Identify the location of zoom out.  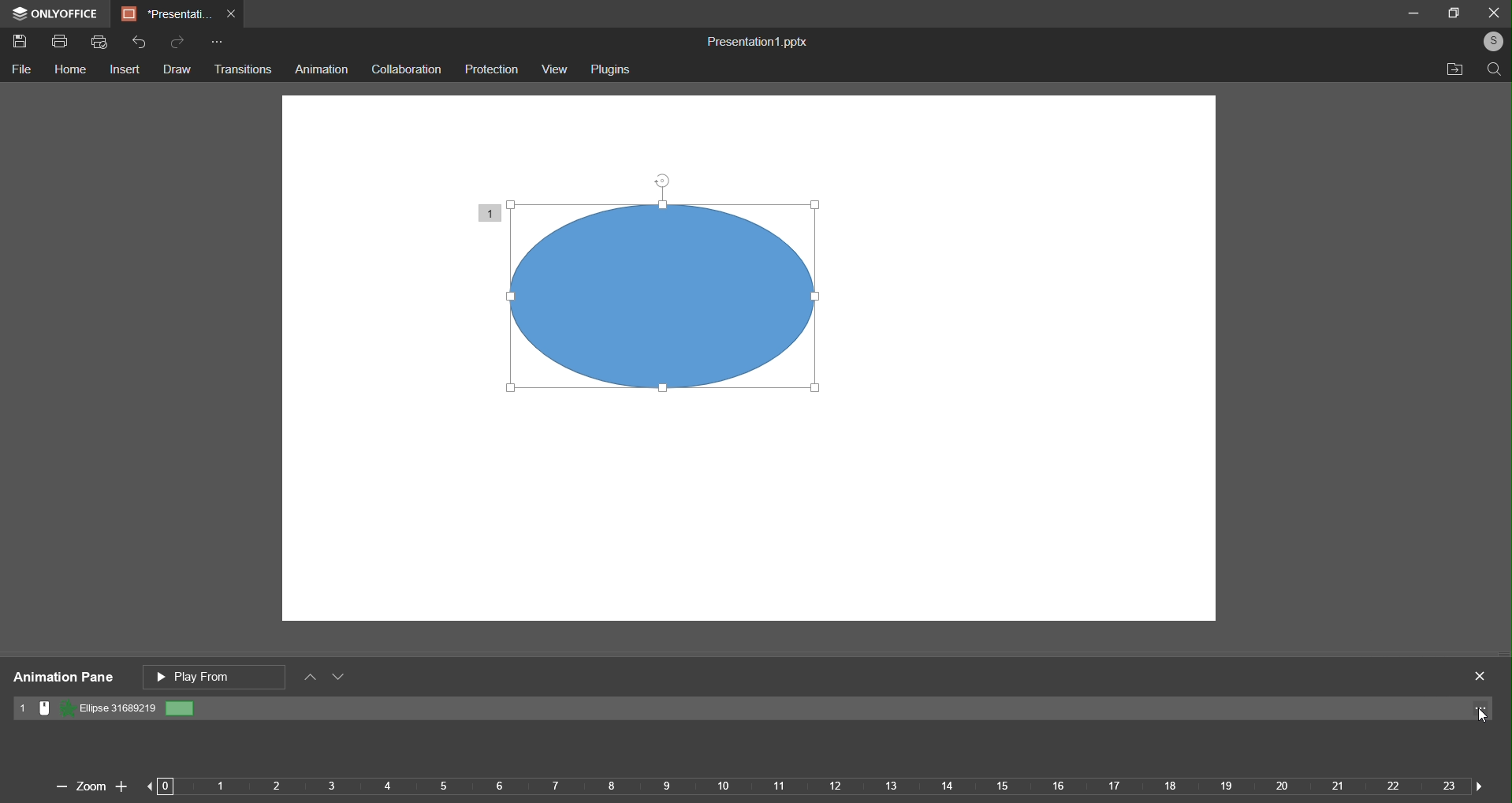
(57, 788).